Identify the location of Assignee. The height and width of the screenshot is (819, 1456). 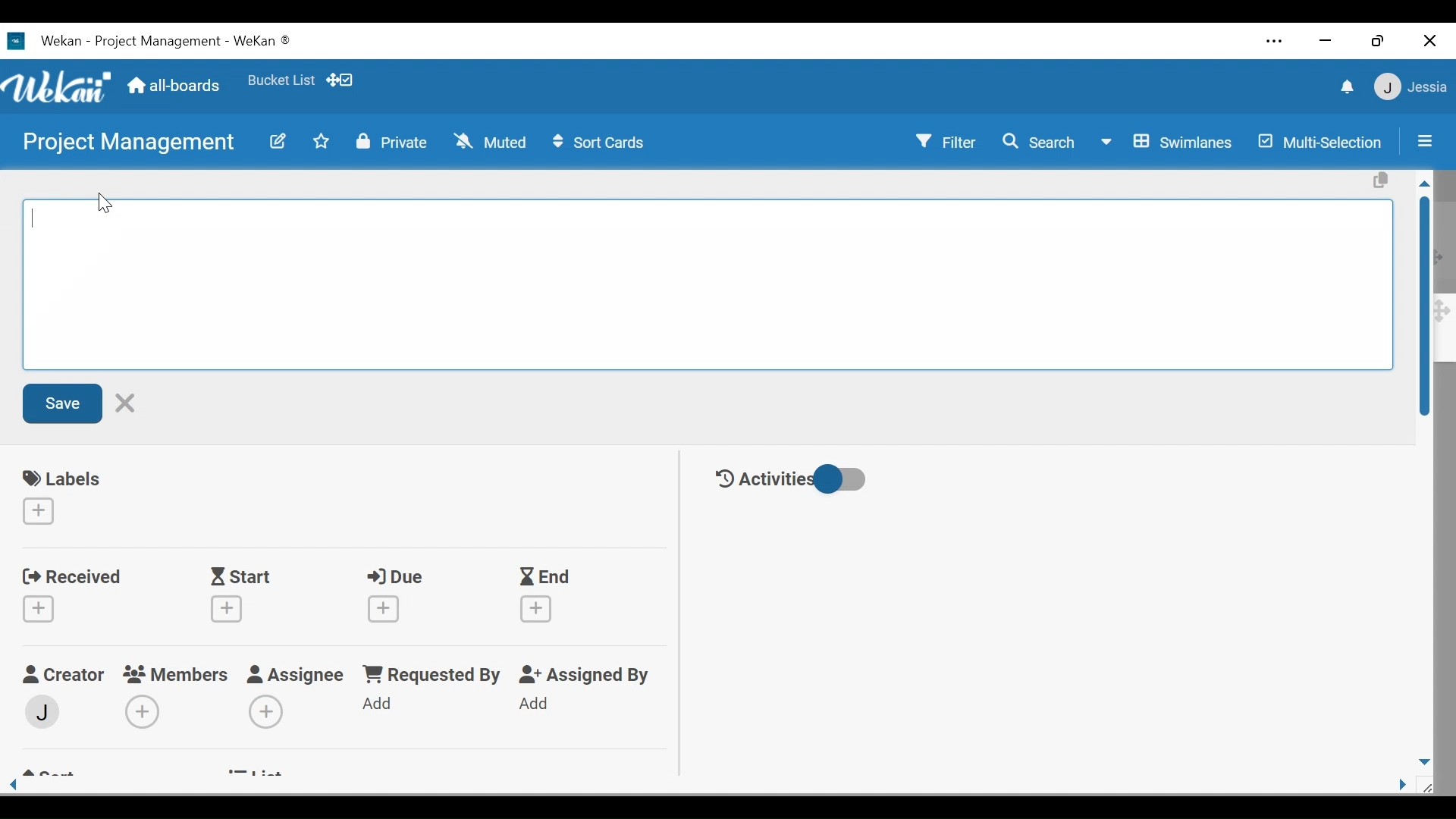
(294, 676).